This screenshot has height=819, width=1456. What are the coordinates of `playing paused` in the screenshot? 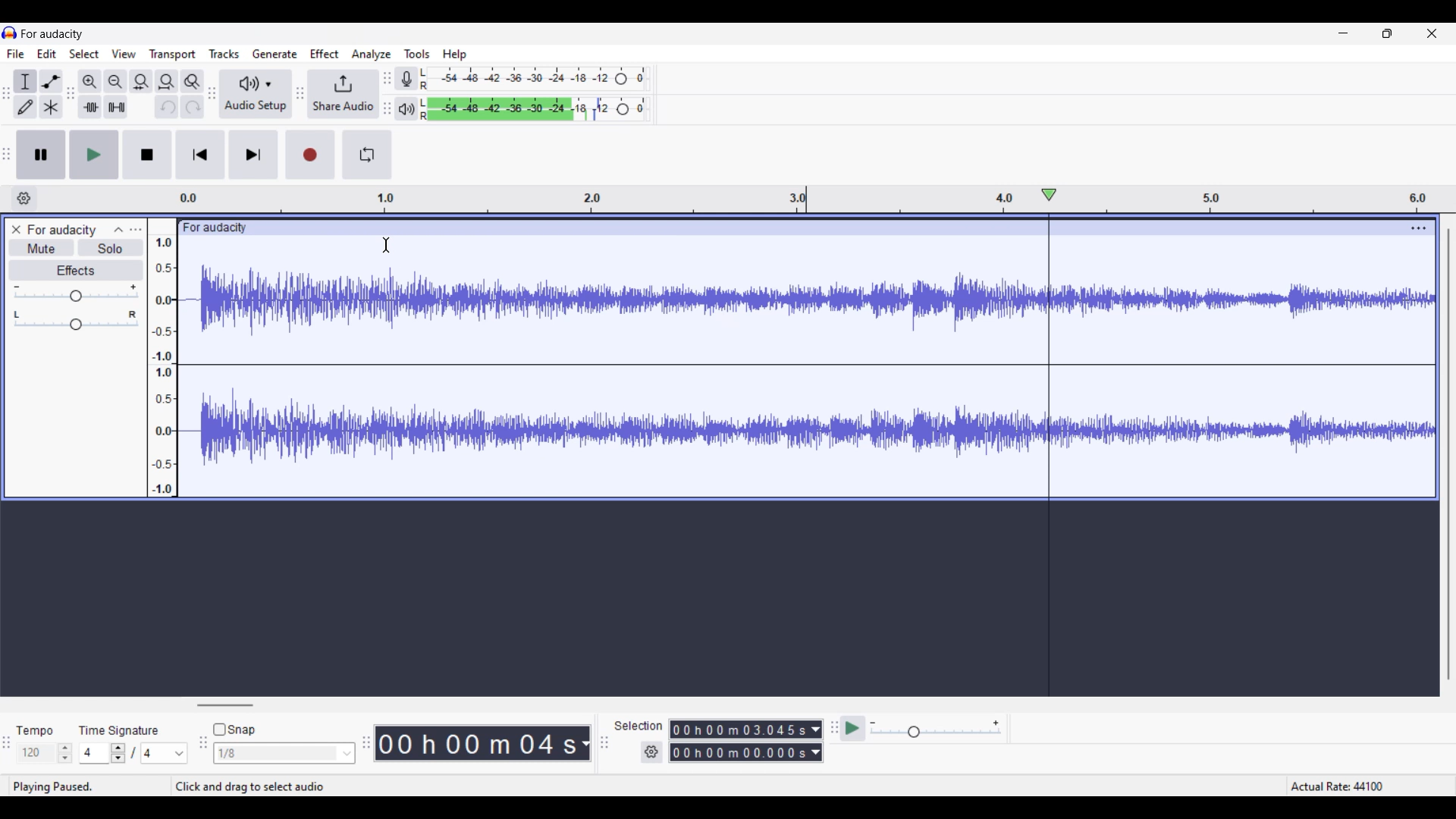 It's located at (61, 788).